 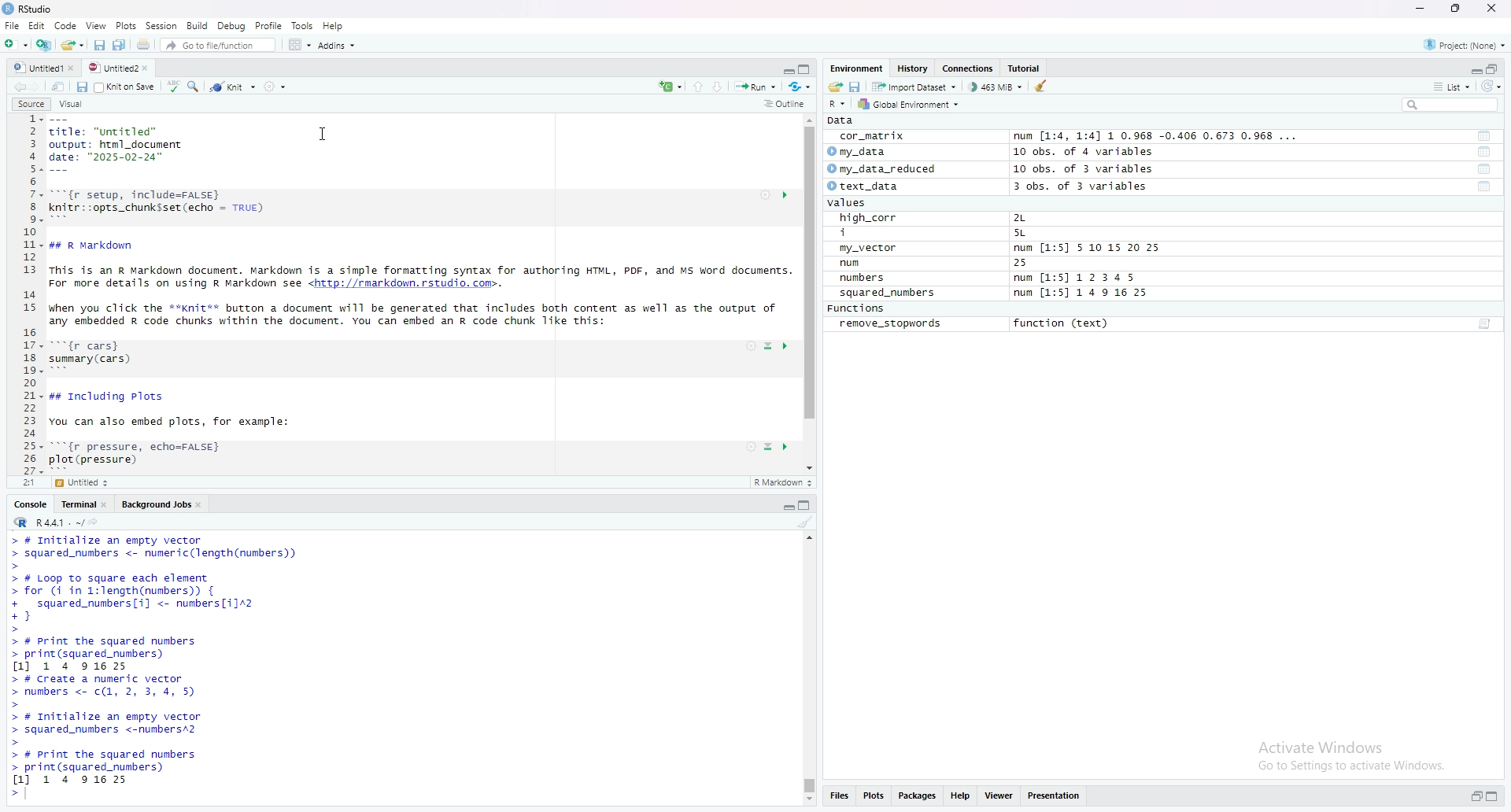 What do you see at coordinates (970, 68) in the screenshot?
I see `Connections` at bounding box center [970, 68].